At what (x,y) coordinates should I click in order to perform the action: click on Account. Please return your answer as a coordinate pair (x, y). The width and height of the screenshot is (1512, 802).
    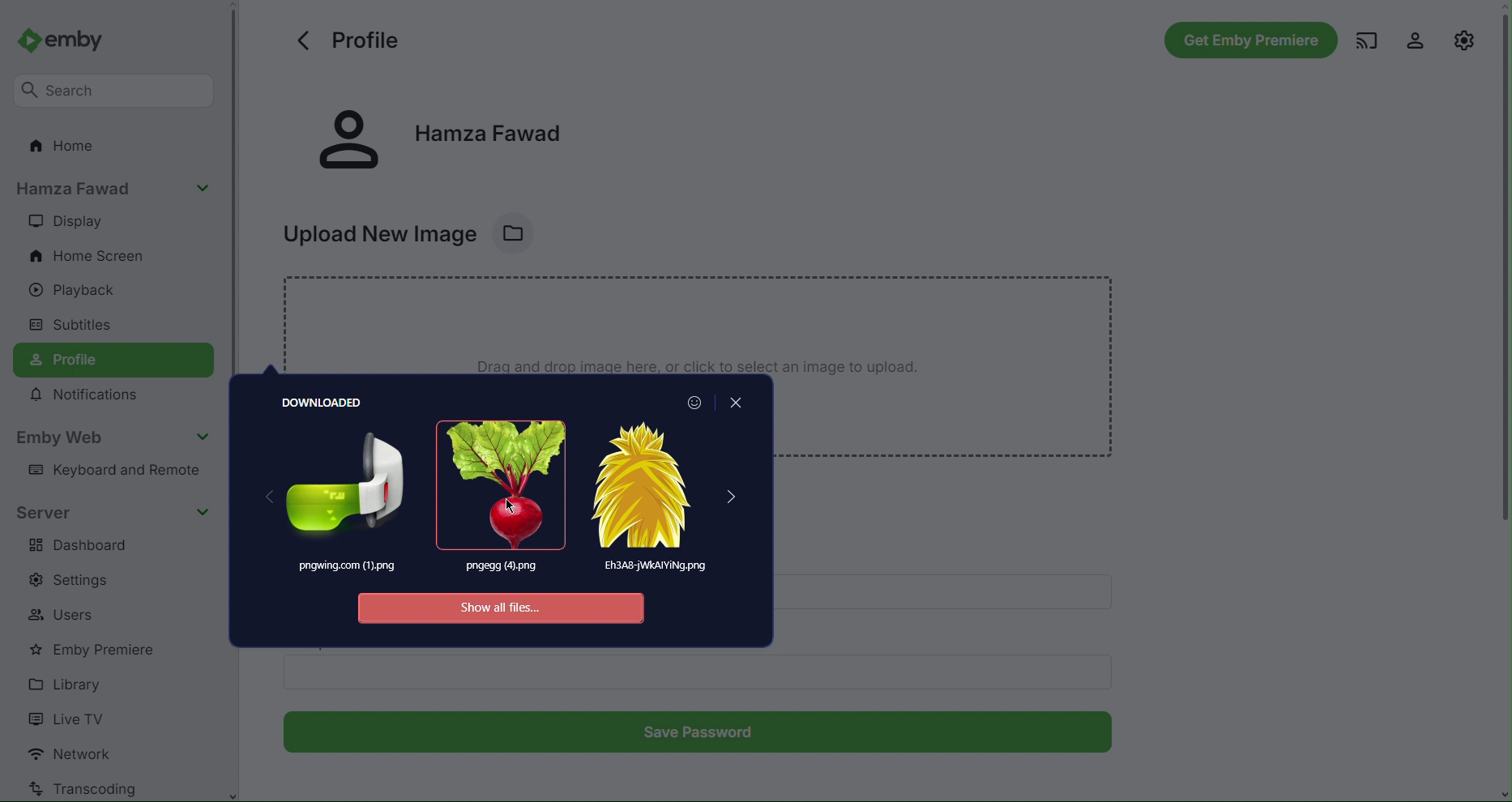
    Looking at the image, I should click on (1409, 40).